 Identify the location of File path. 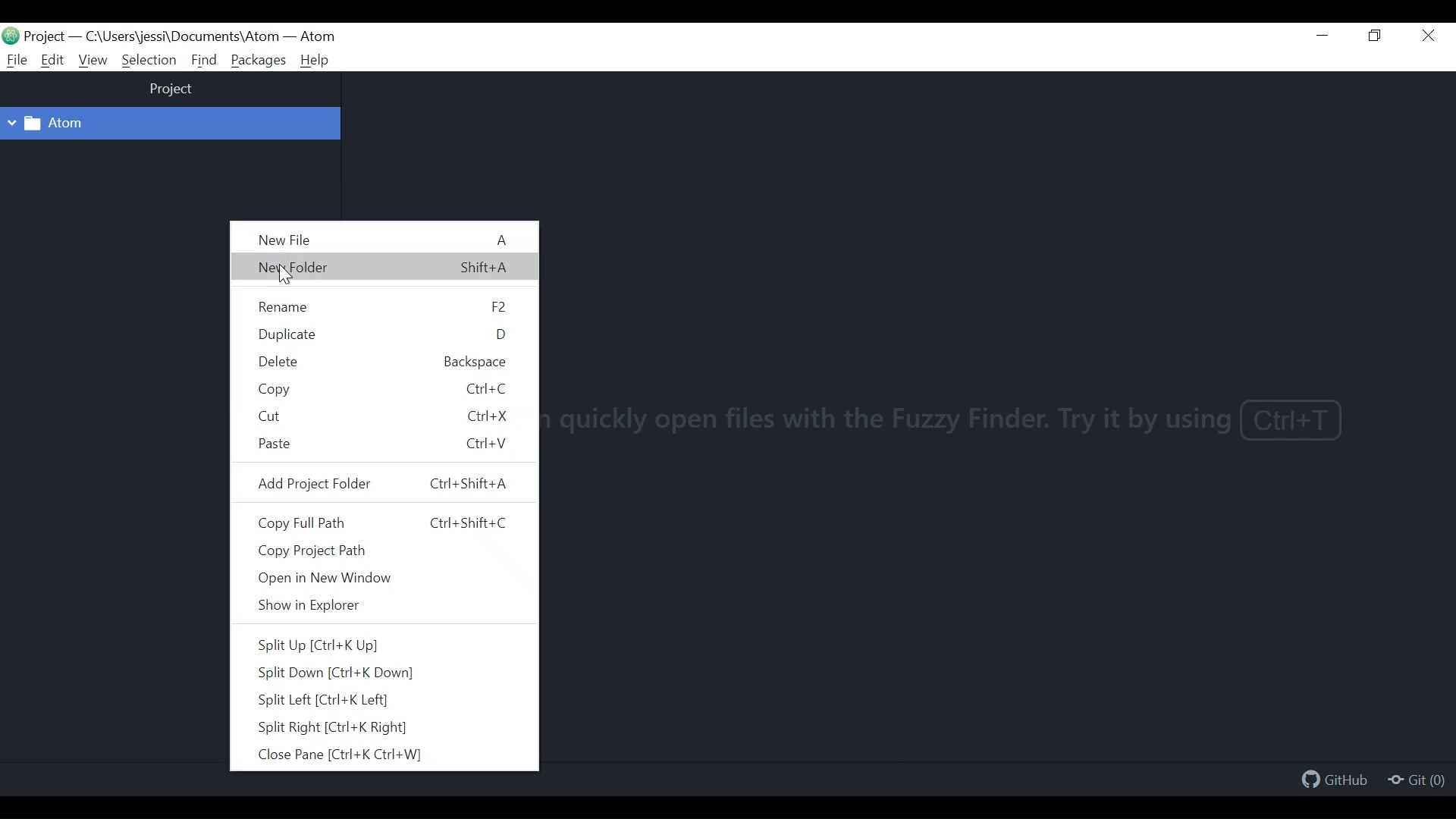
(179, 37).